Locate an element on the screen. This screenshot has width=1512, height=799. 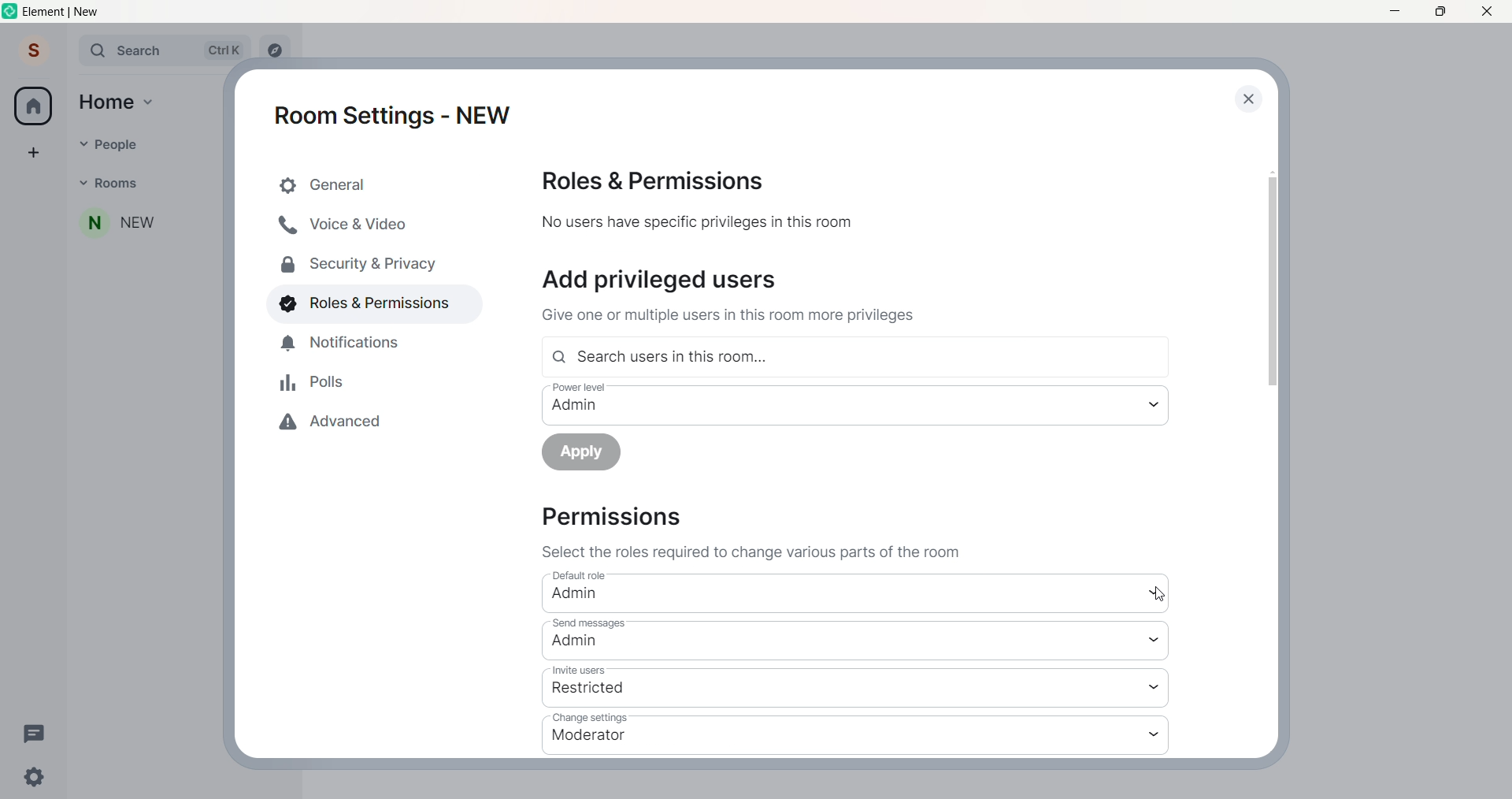
invite users is located at coordinates (835, 688).